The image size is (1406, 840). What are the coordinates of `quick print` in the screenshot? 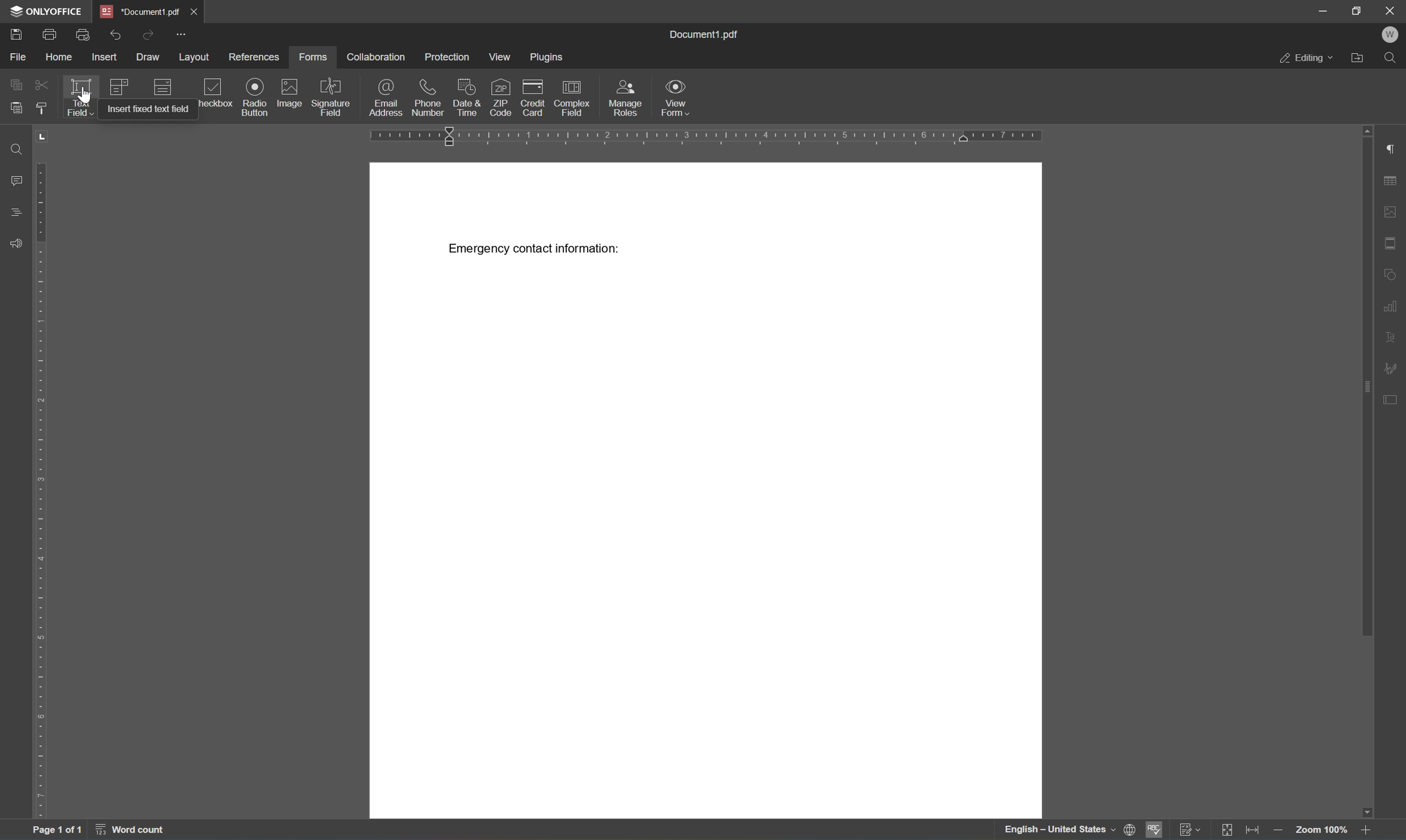 It's located at (82, 35).